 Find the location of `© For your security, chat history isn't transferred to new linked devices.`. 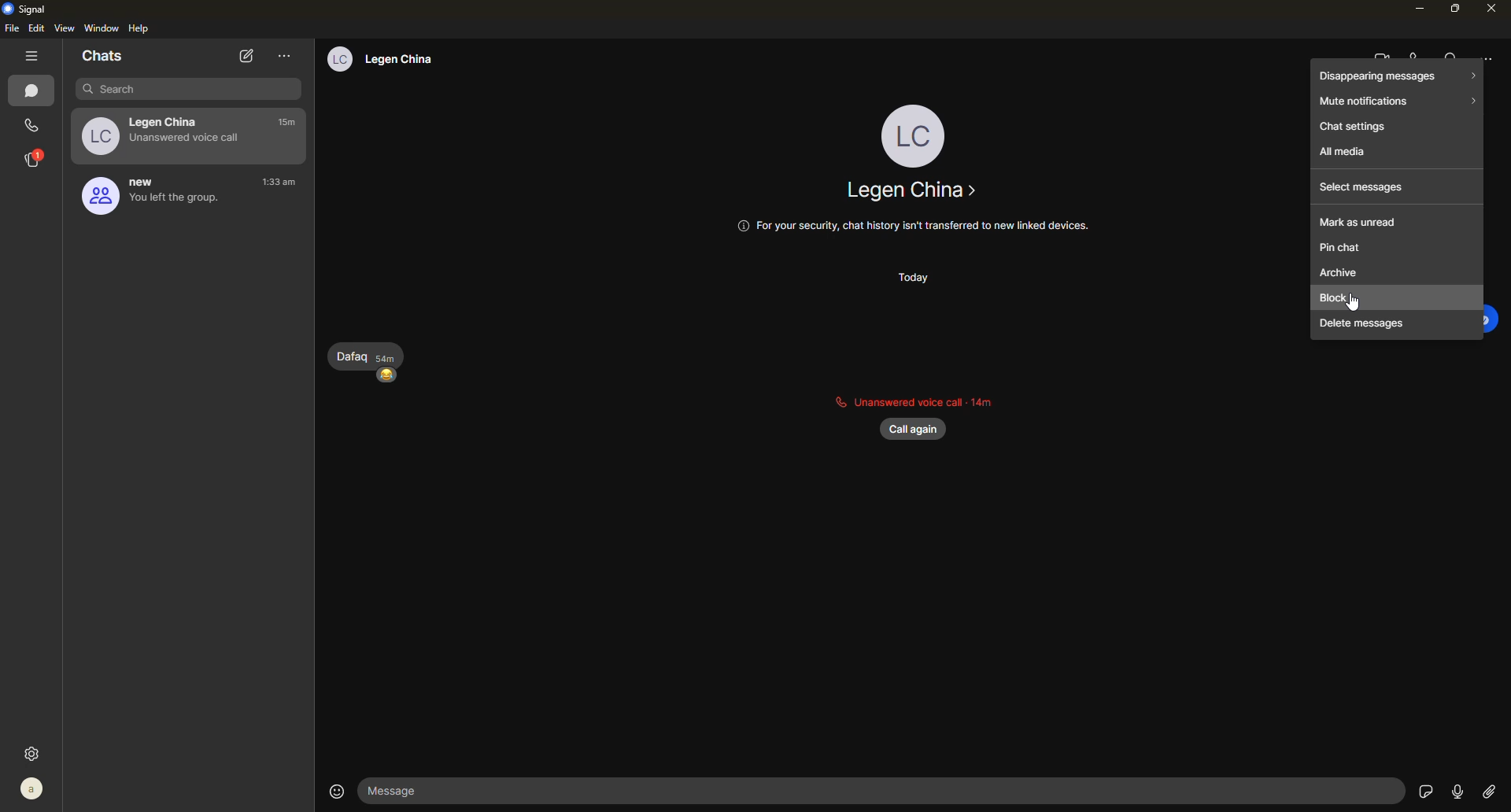

© For your security, chat history isn't transferred to new linked devices. is located at coordinates (905, 228).